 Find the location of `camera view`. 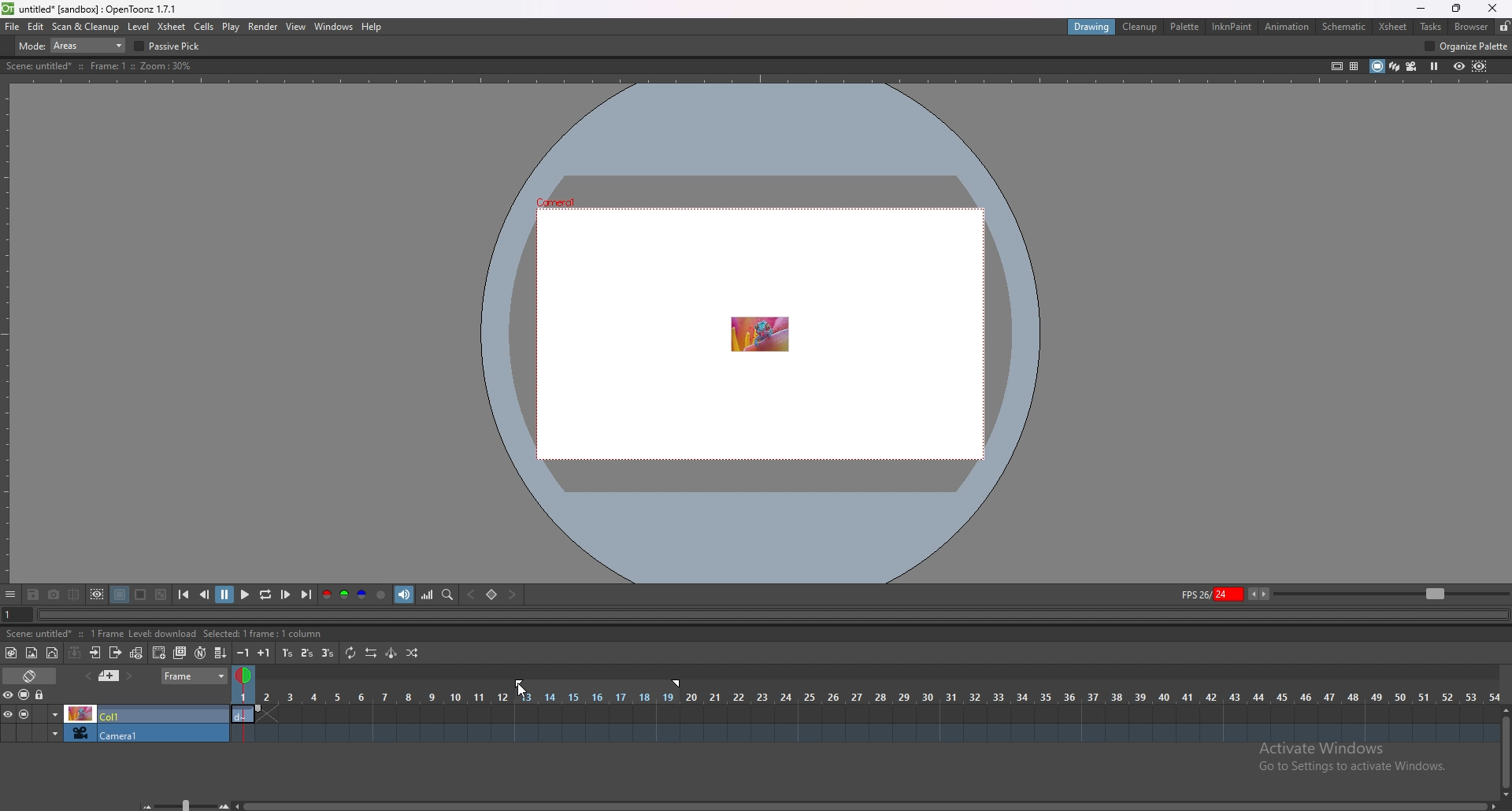

camera view is located at coordinates (1412, 66).